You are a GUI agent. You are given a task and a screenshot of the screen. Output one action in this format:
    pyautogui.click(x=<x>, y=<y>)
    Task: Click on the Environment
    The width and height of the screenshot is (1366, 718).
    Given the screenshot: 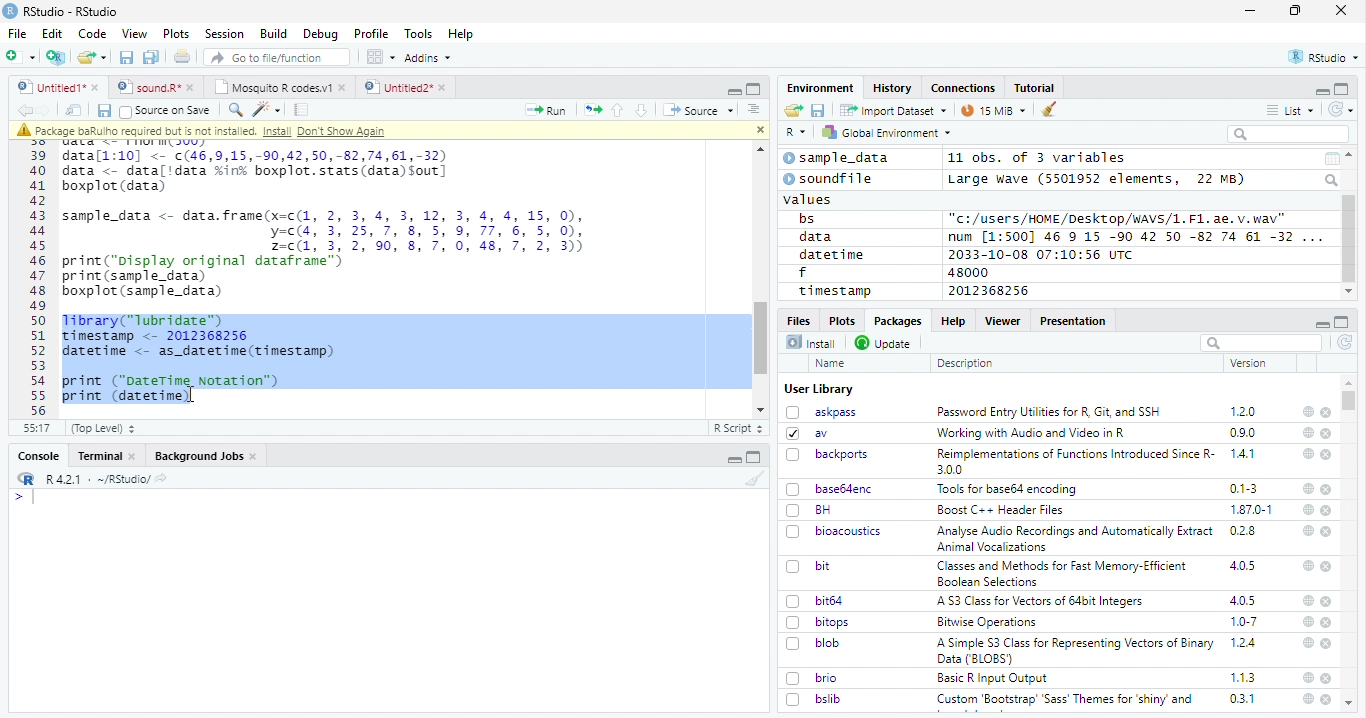 What is the action you would take?
    pyautogui.click(x=821, y=87)
    